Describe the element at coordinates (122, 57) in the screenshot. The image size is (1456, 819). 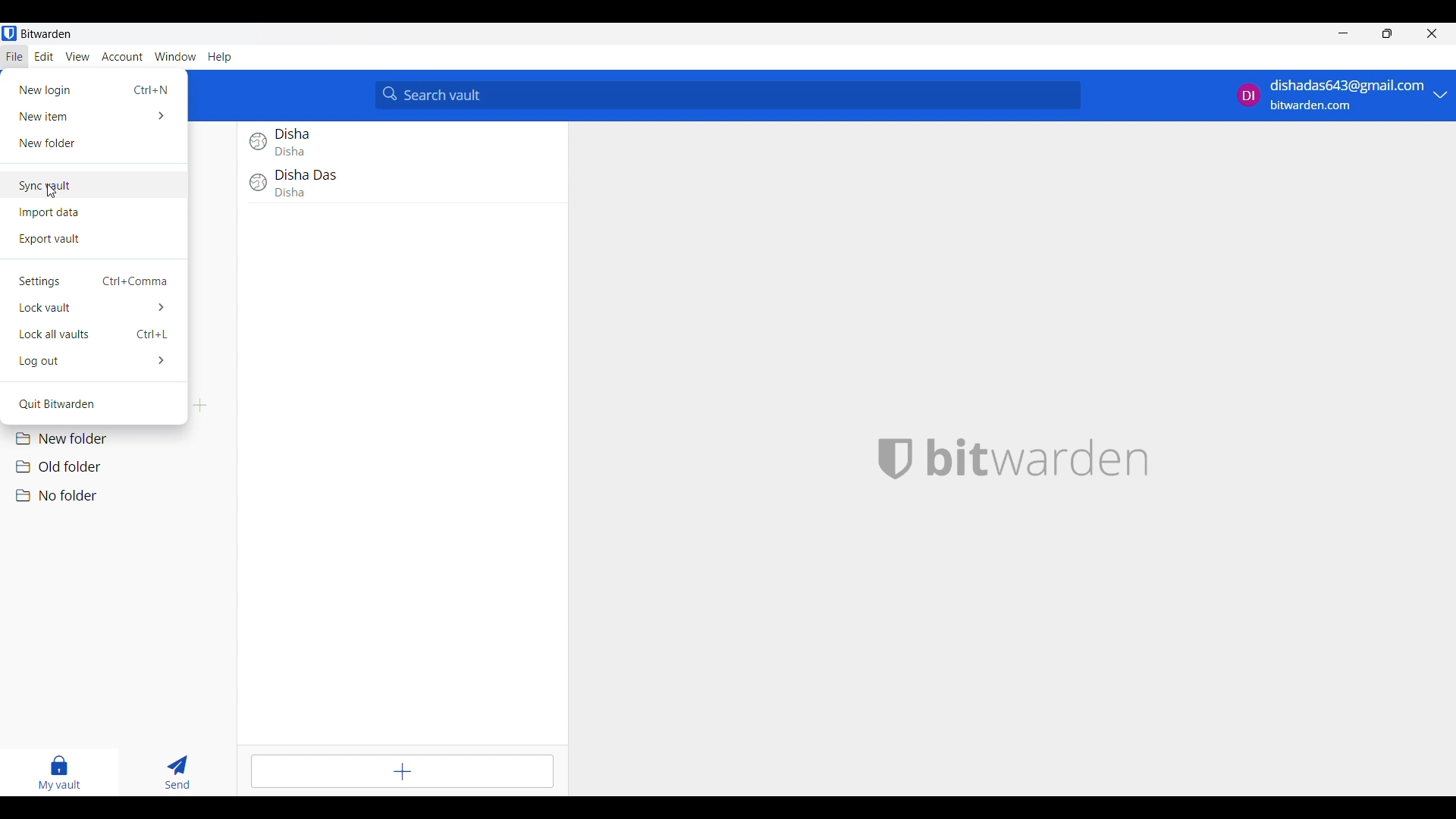
I see `Account menu` at that location.